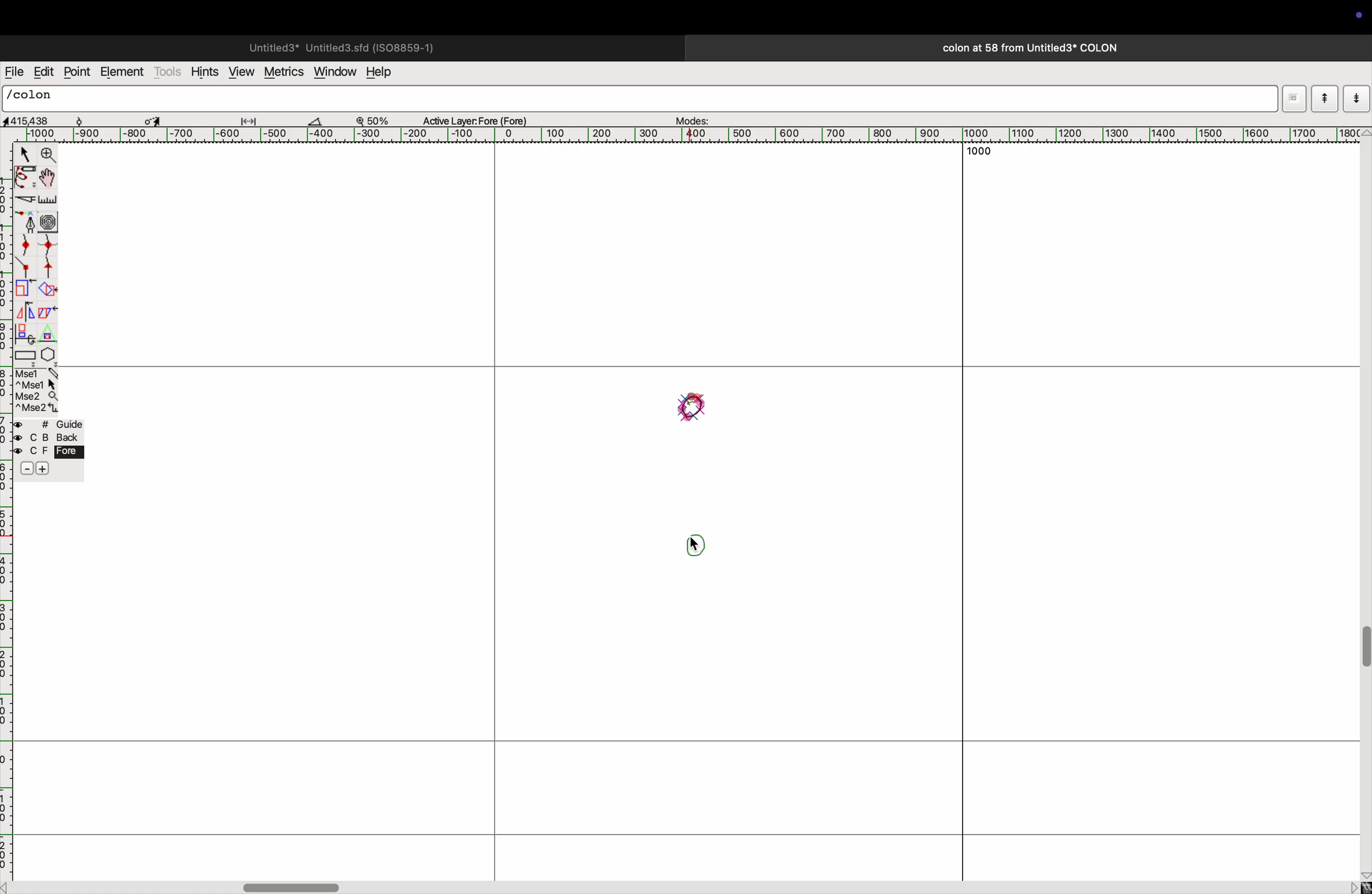 The height and width of the screenshot is (894, 1372). What do you see at coordinates (480, 118) in the screenshot?
I see `active layer` at bounding box center [480, 118].